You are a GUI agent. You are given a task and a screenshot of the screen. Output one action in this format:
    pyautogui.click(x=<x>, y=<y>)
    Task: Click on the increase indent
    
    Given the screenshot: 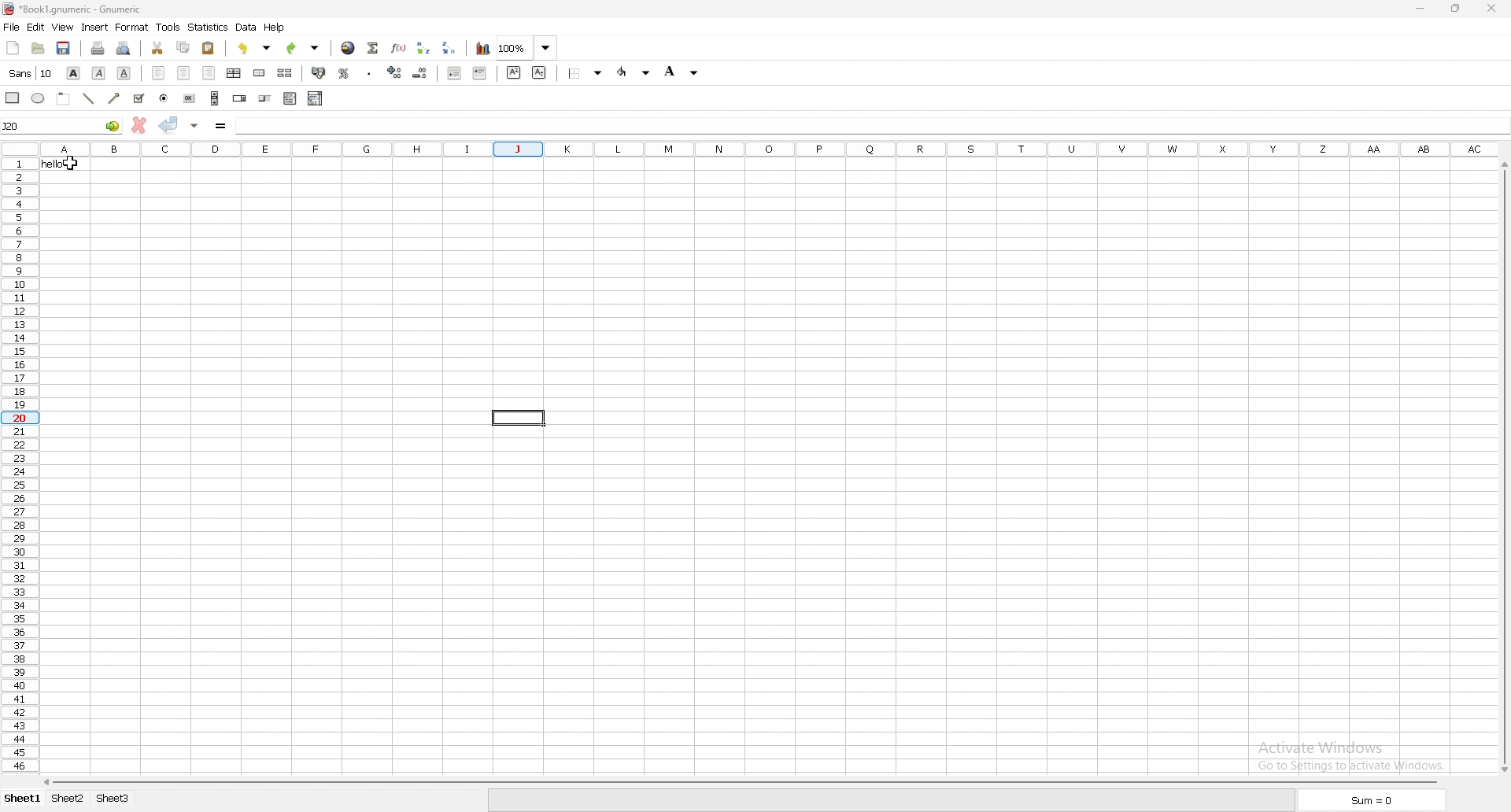 What is the action you would take?
    pyautogui.click(x=481, y=73)
    